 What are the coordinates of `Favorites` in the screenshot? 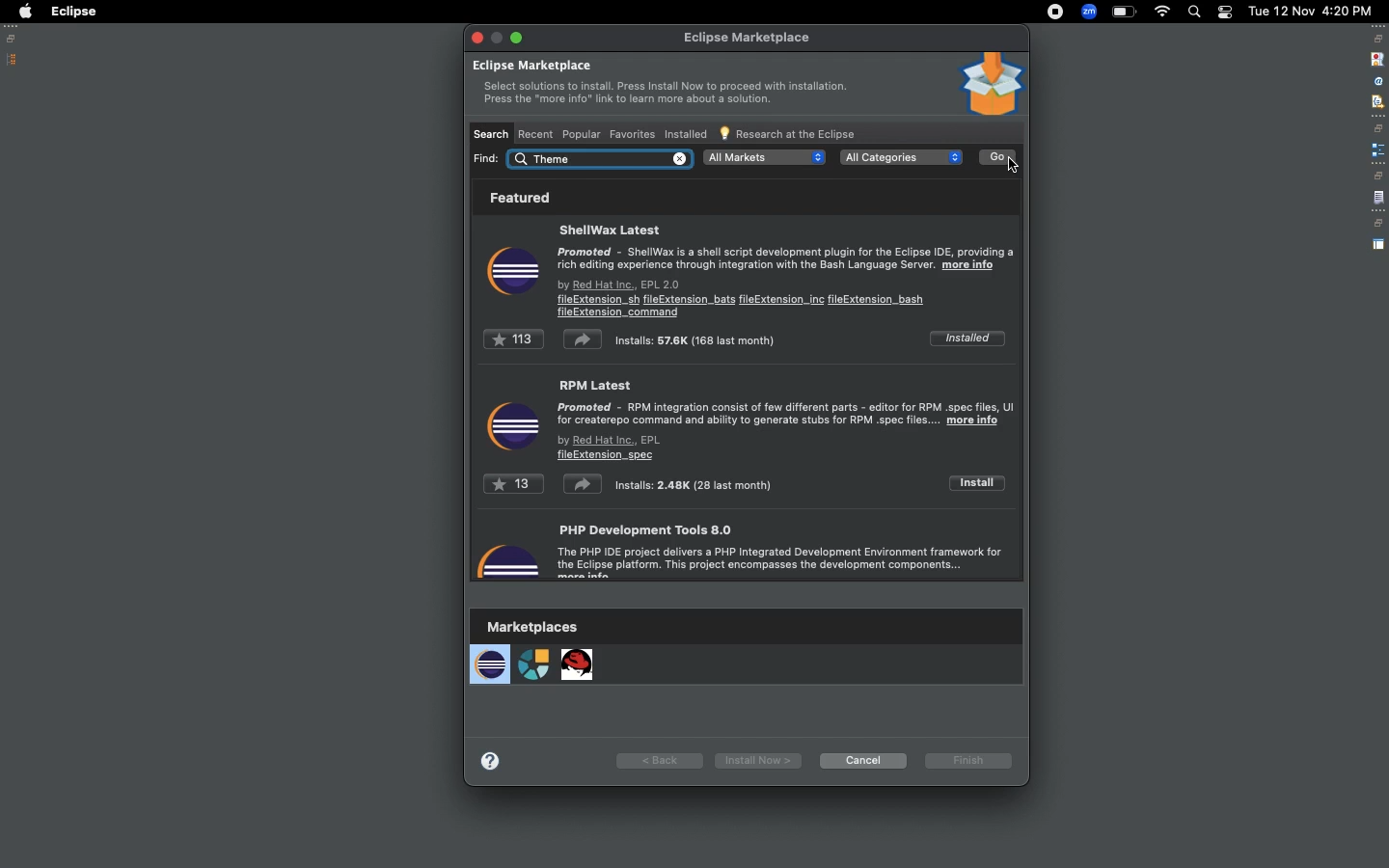 It's located at (630, 132).